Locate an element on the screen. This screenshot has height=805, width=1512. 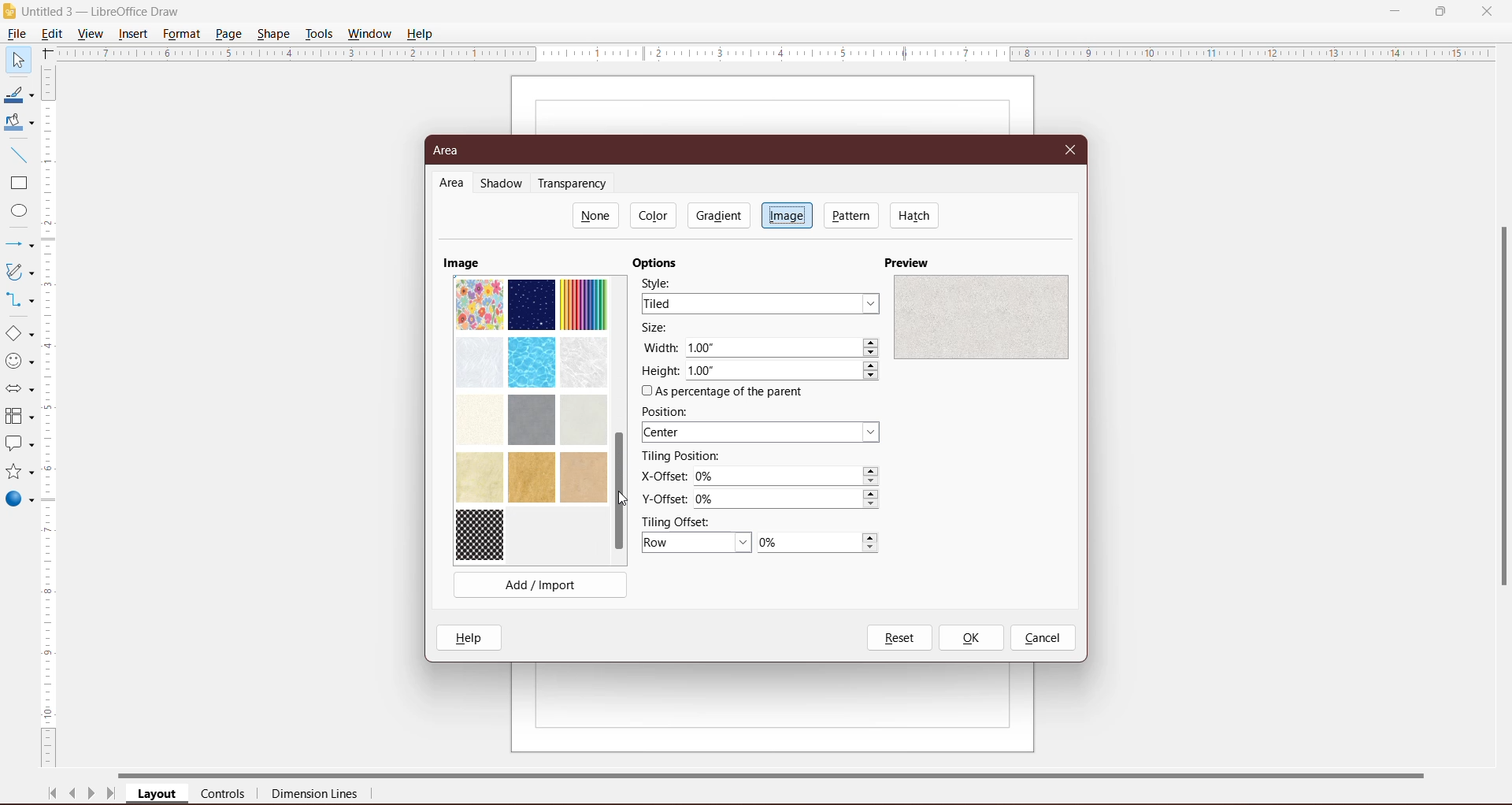
Connectors is located at coordinates (18, 301).